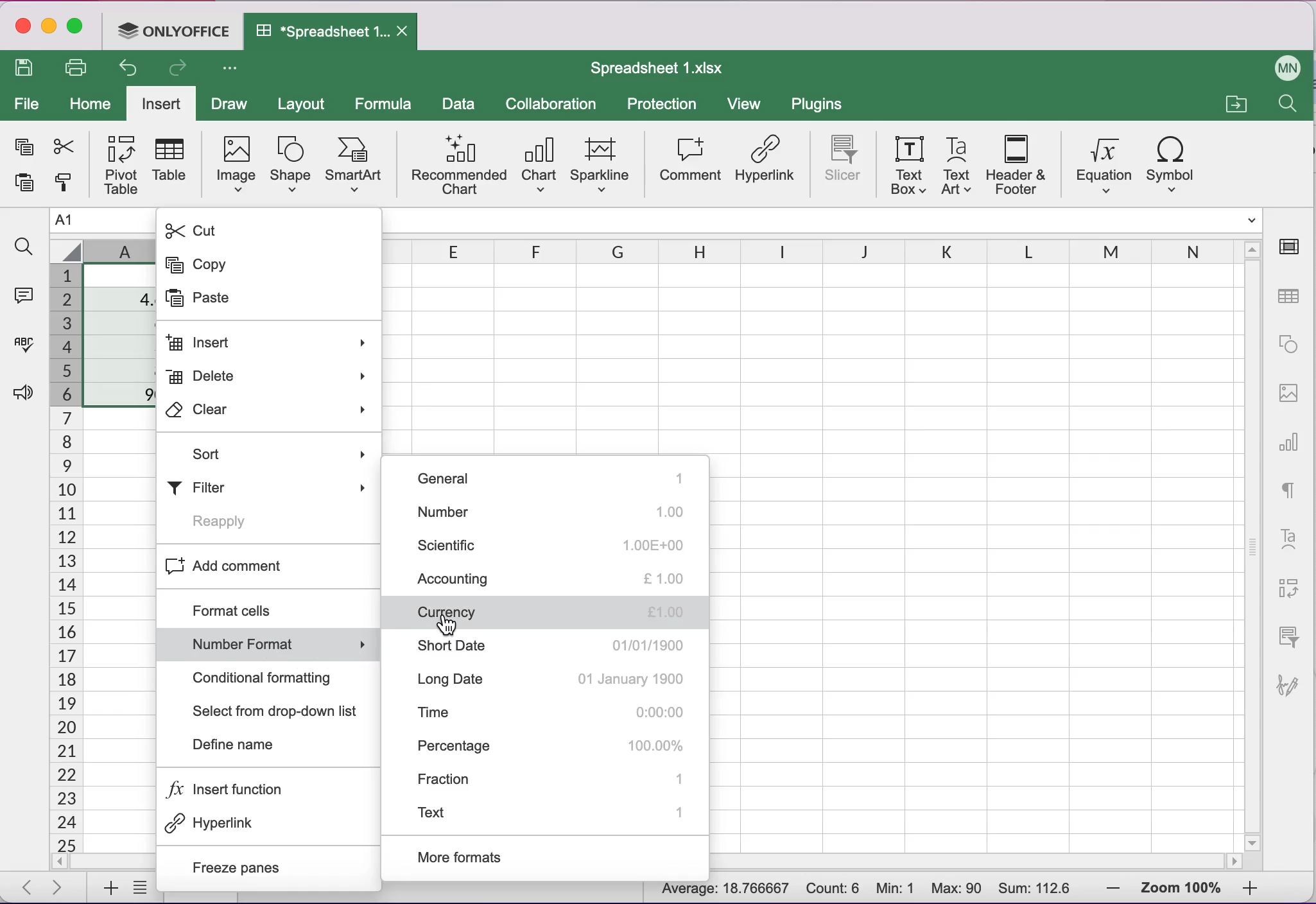  Describe the element at coordinates (1290, 447) in the screenshot. I see `chart` at that location.